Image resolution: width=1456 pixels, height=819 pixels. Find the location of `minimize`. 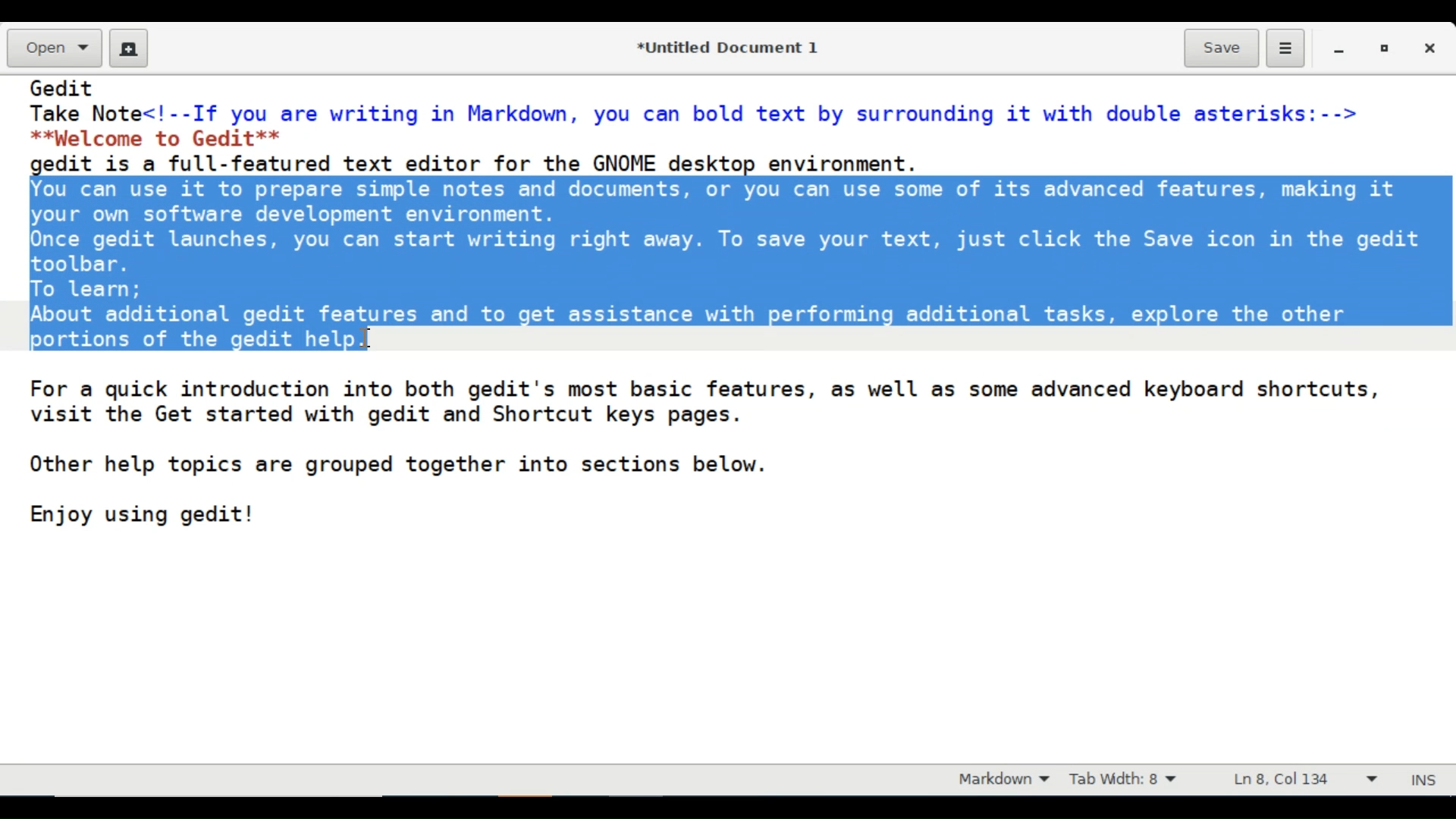

minimize is located at coordinates (1341, 48).